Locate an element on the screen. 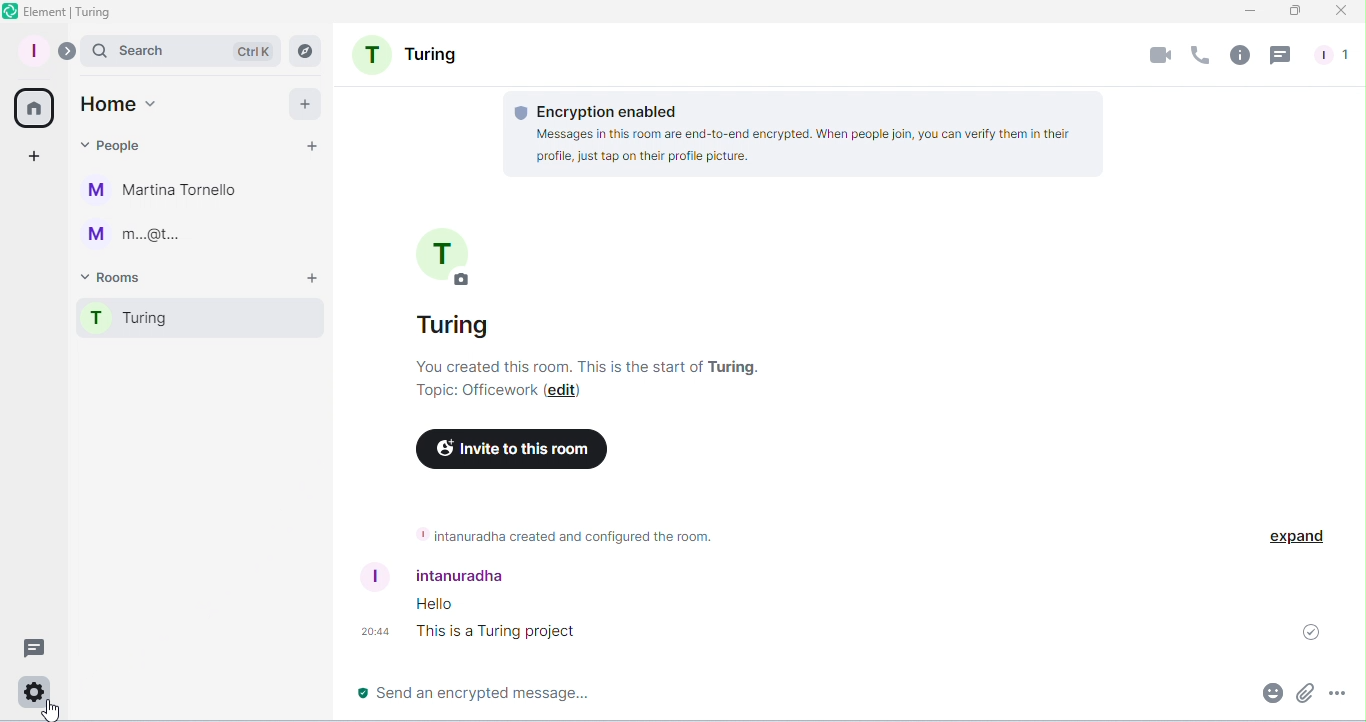 This screenshot has width=1366, height=722. Turing is located at coordinates (404, 53).